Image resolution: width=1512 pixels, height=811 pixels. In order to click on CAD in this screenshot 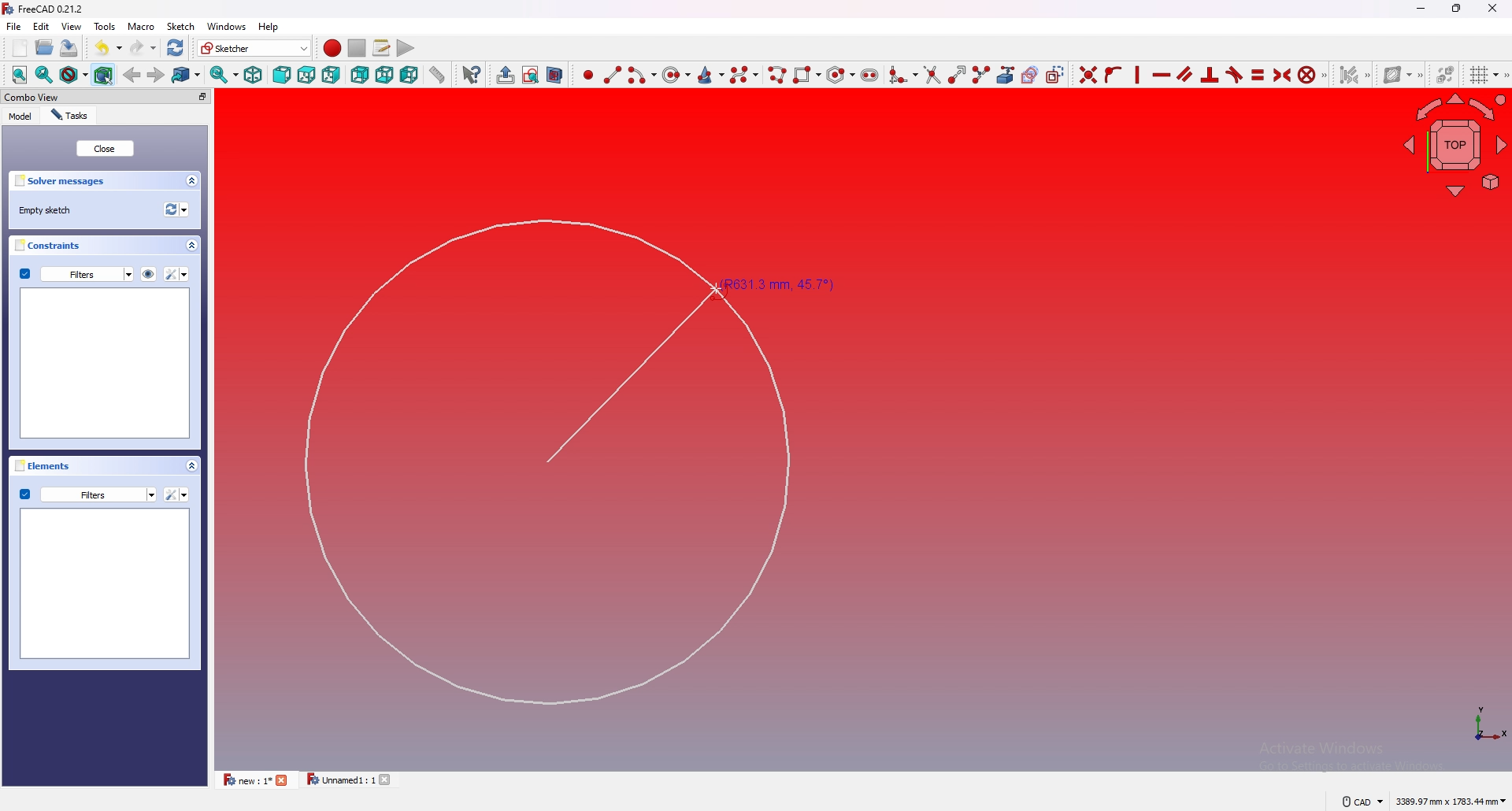, I will do `click(1361, 801)`.